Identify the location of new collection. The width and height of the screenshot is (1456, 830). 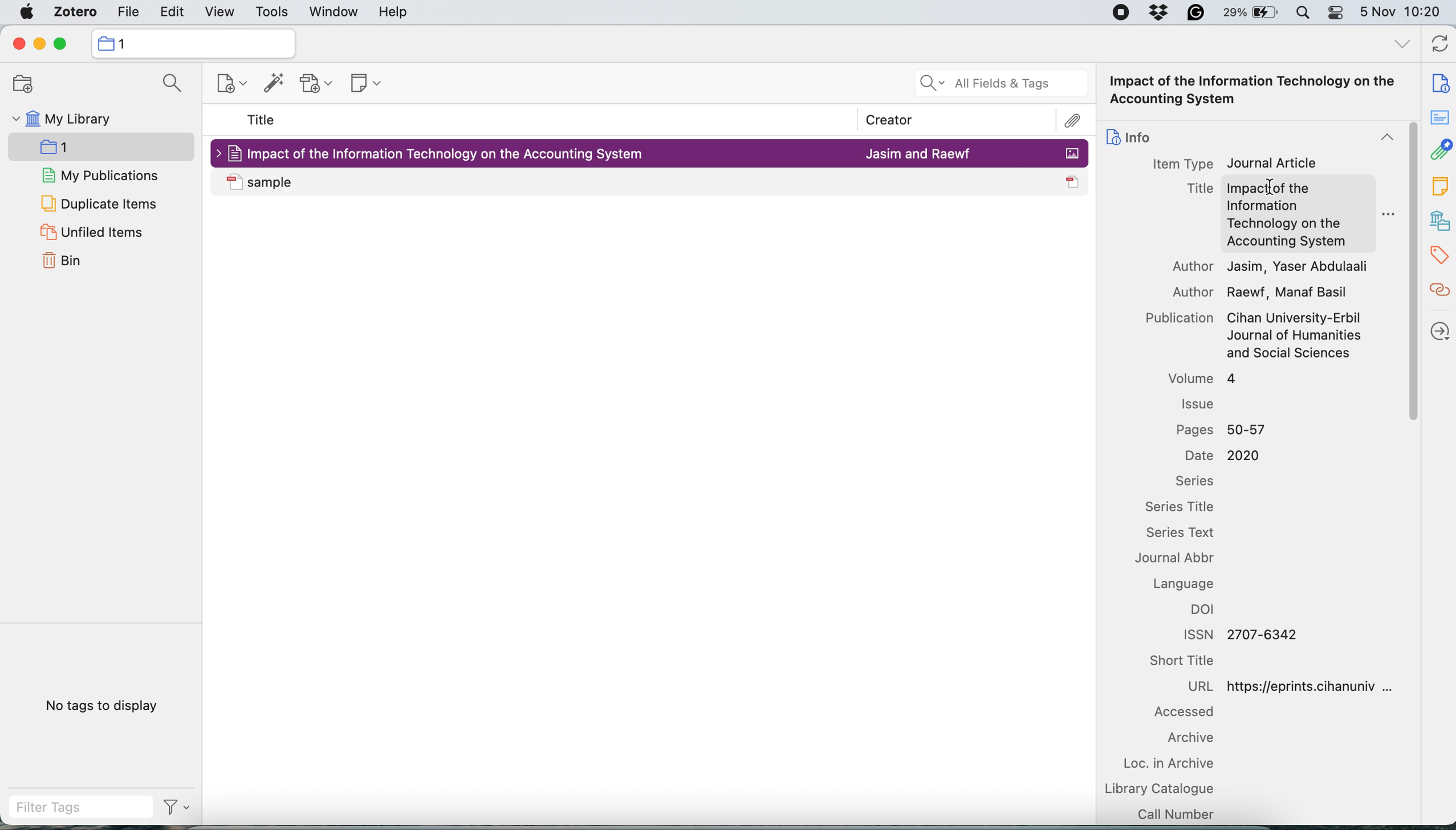
(99, 147).